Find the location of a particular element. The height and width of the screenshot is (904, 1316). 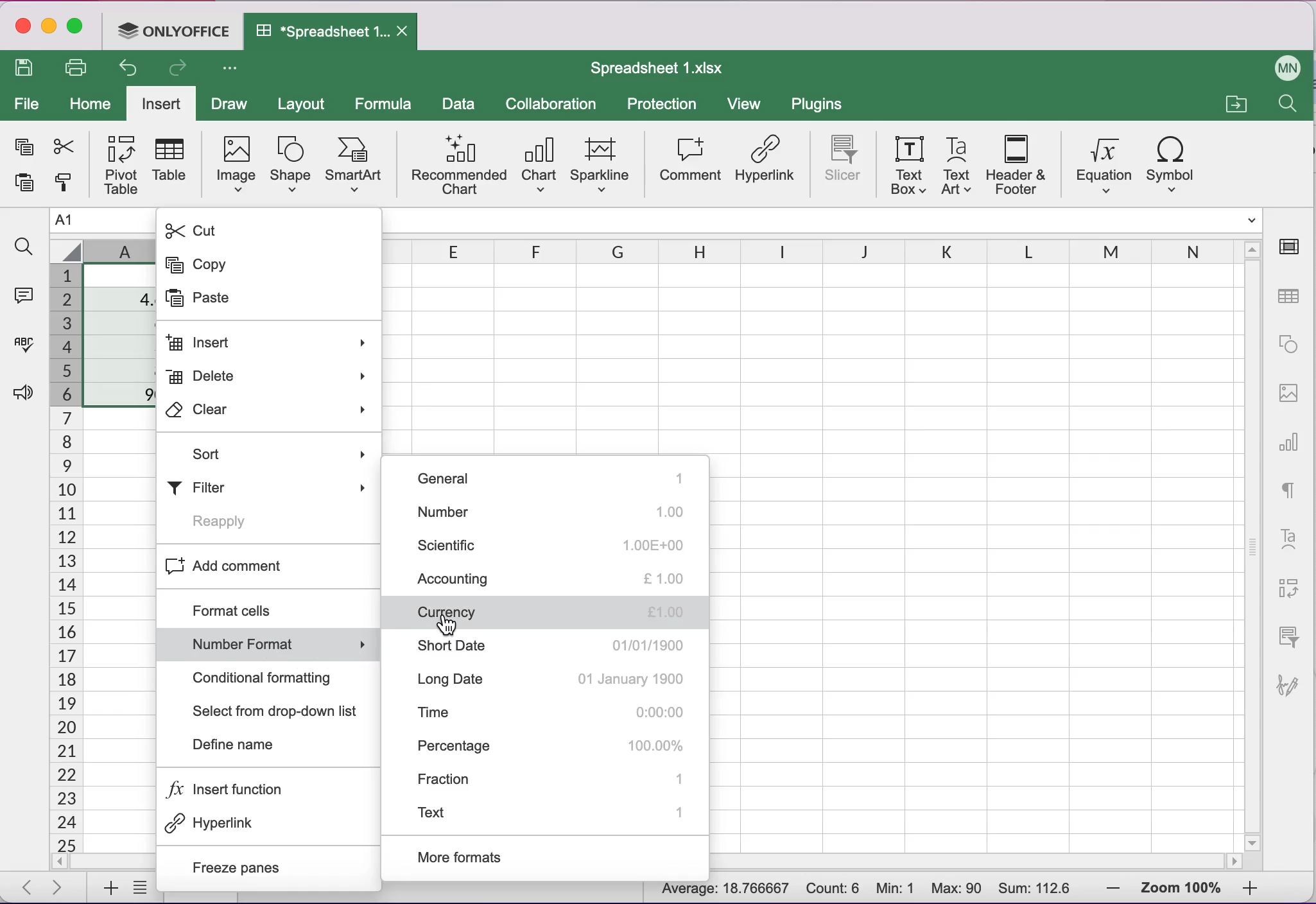

paste is located at coordinates (24, 185).